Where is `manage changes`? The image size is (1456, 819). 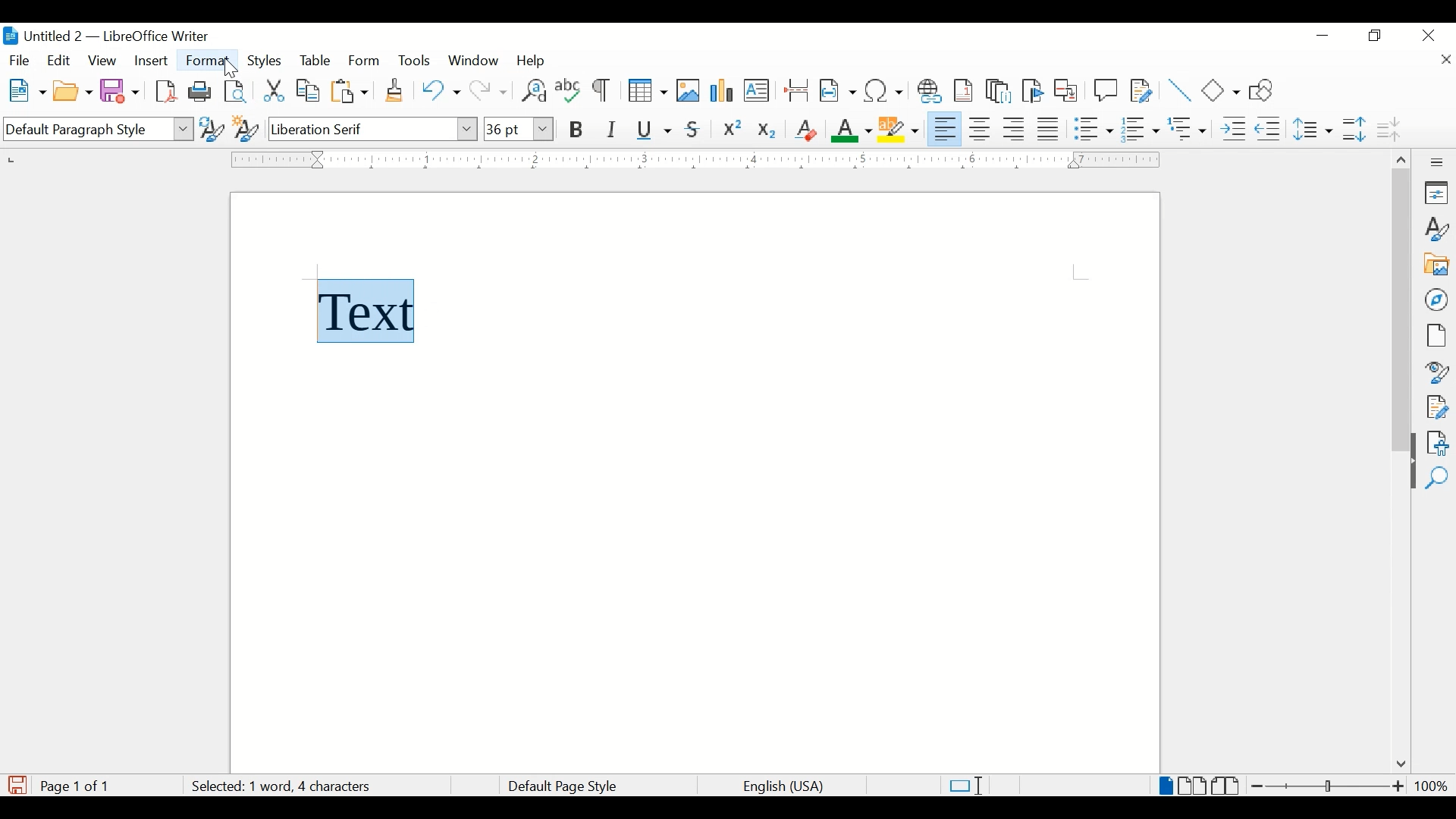 manage changes is located at coordinates (1437, 407).